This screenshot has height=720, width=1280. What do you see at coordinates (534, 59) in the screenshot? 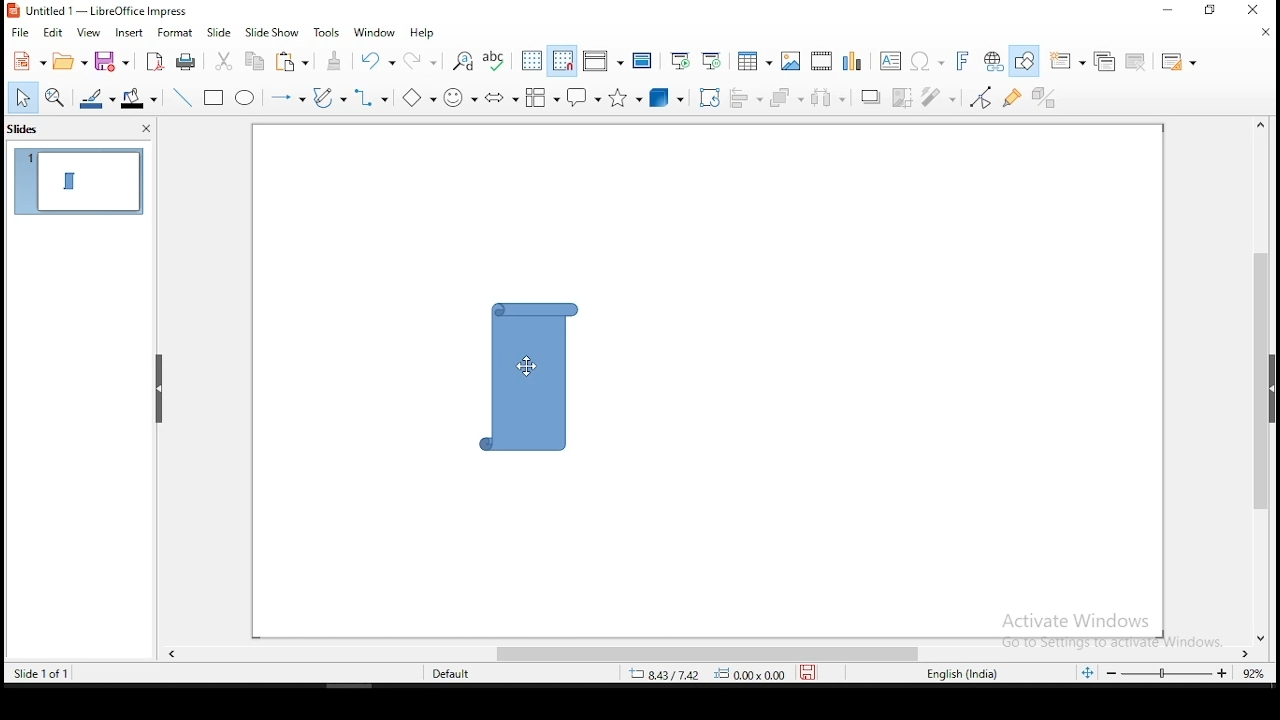
I see `display grid` at bounding box center [534, 59].